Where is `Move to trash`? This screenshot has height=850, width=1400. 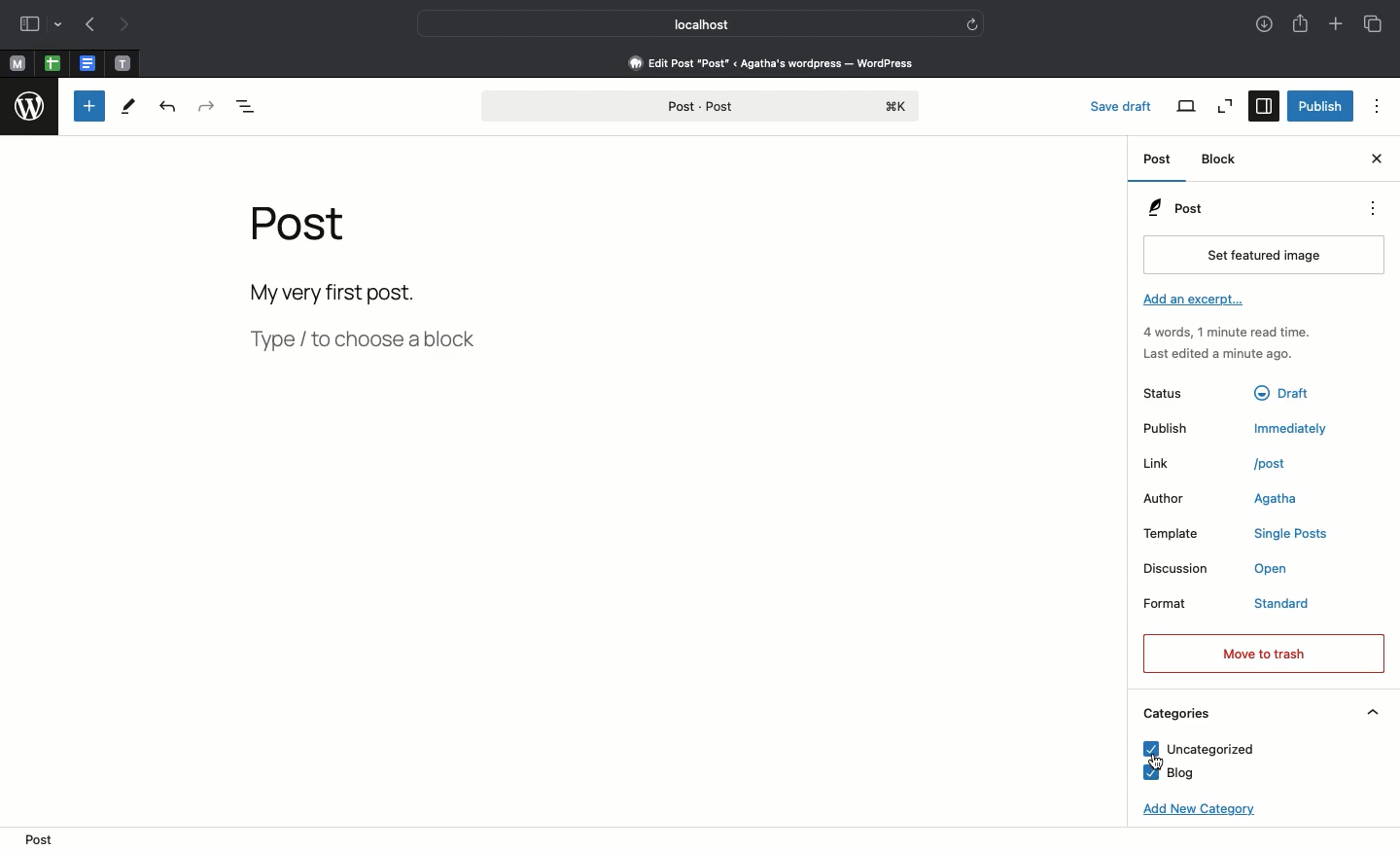
Move to trash is located at coordinates (1262, 653).